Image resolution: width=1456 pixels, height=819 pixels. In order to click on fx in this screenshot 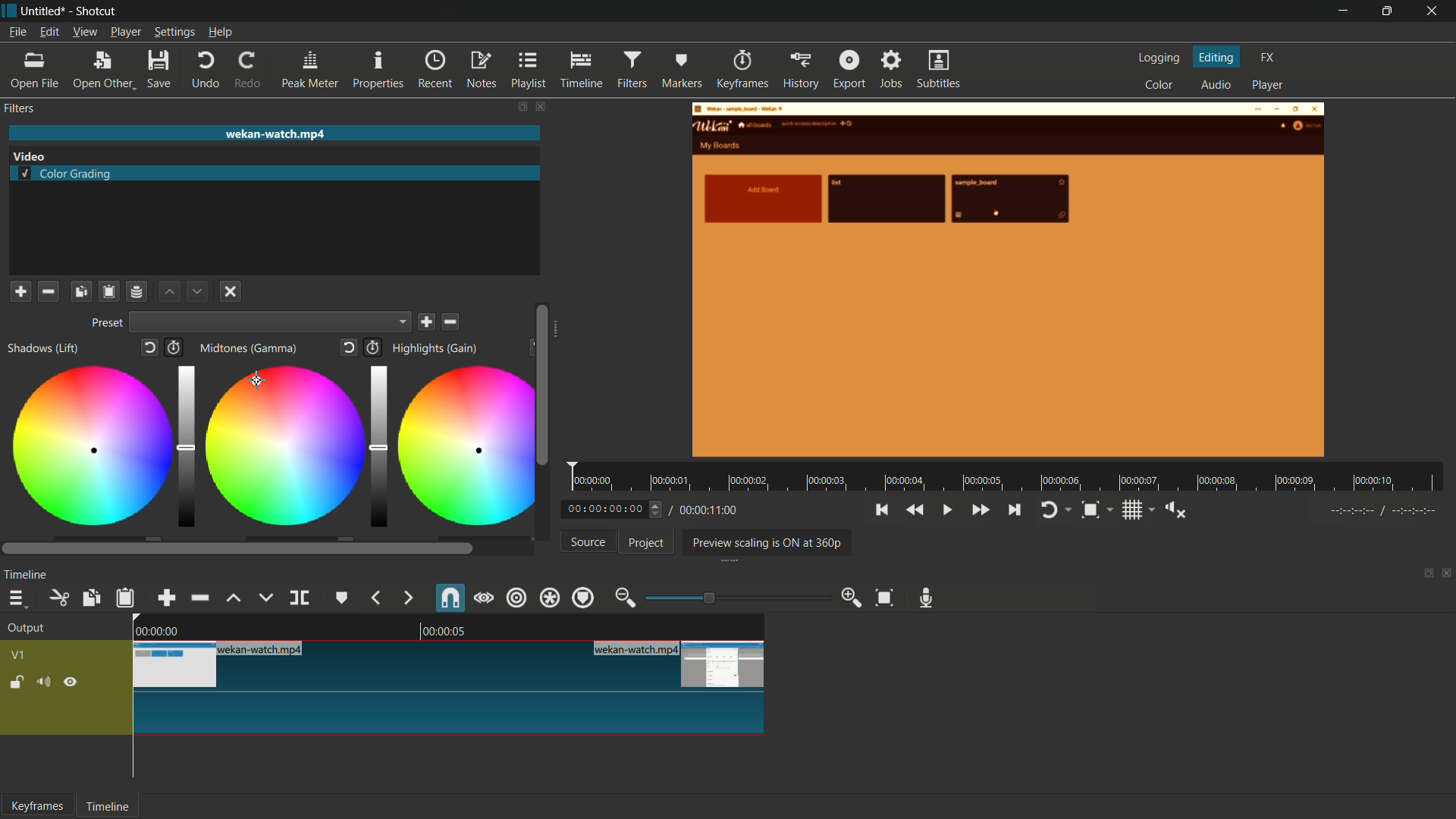, I will do `click(1268, 58)`.